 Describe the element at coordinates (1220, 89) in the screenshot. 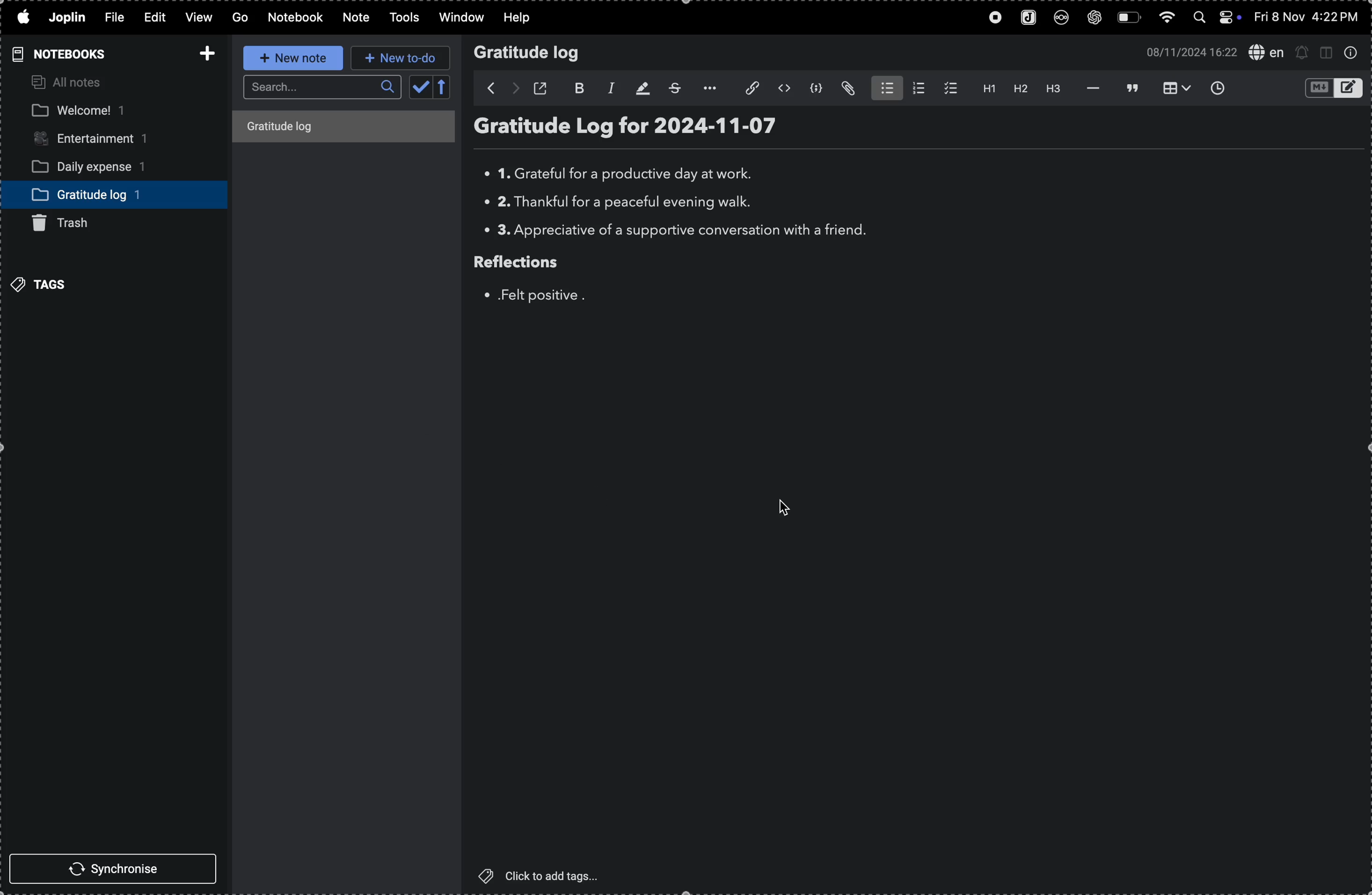

I see `inser time` at that location.